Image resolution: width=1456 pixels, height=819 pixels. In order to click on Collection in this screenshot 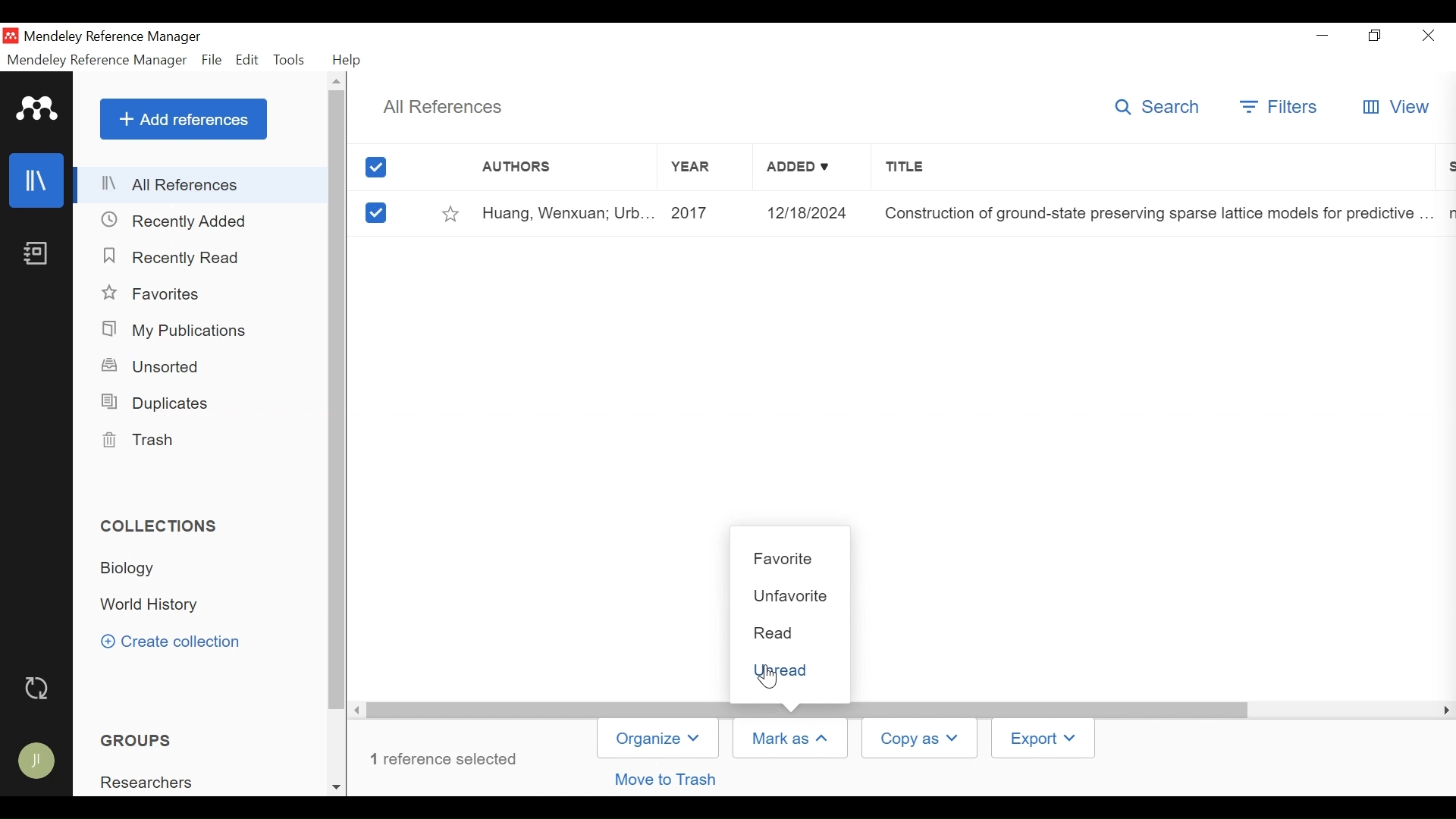, I will do `click(149, 606)`.